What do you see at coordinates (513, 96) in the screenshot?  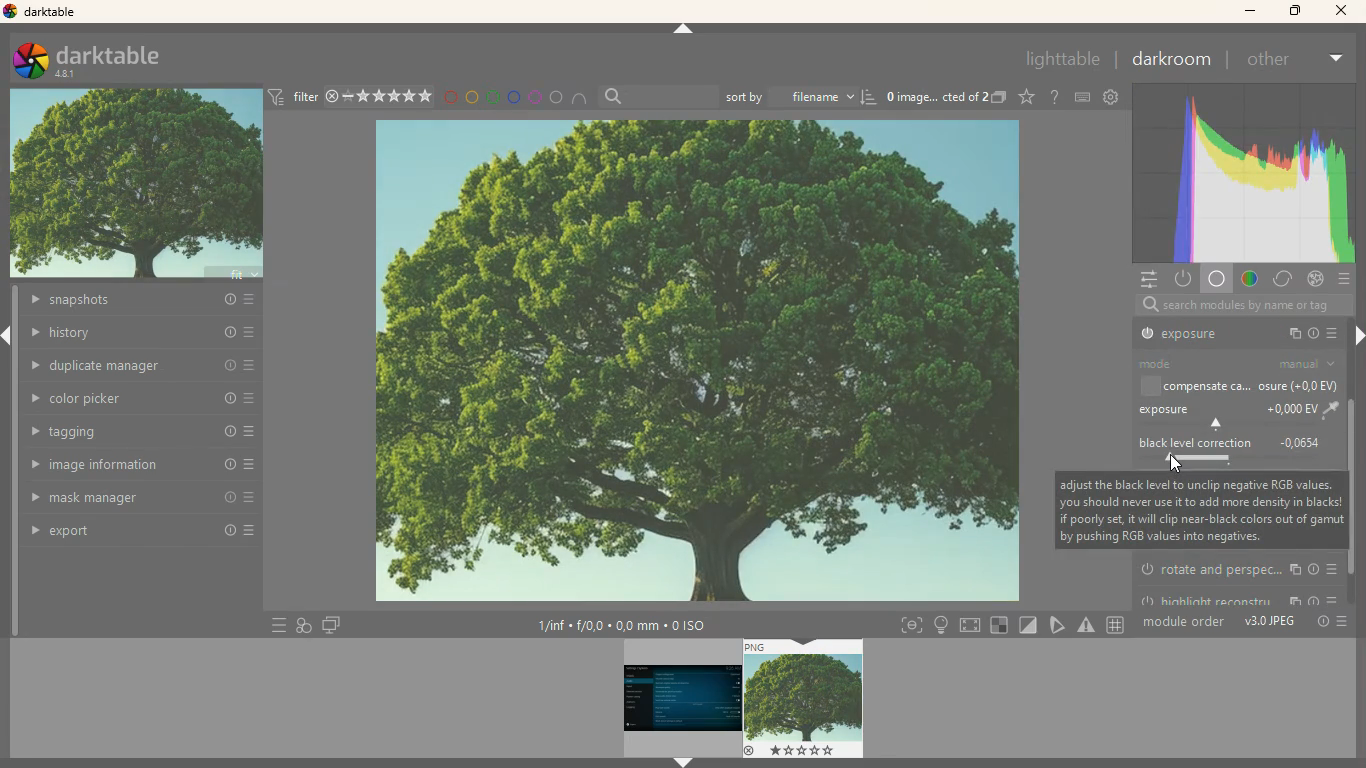 I see `blue circle` at bounding box center [513, 96].